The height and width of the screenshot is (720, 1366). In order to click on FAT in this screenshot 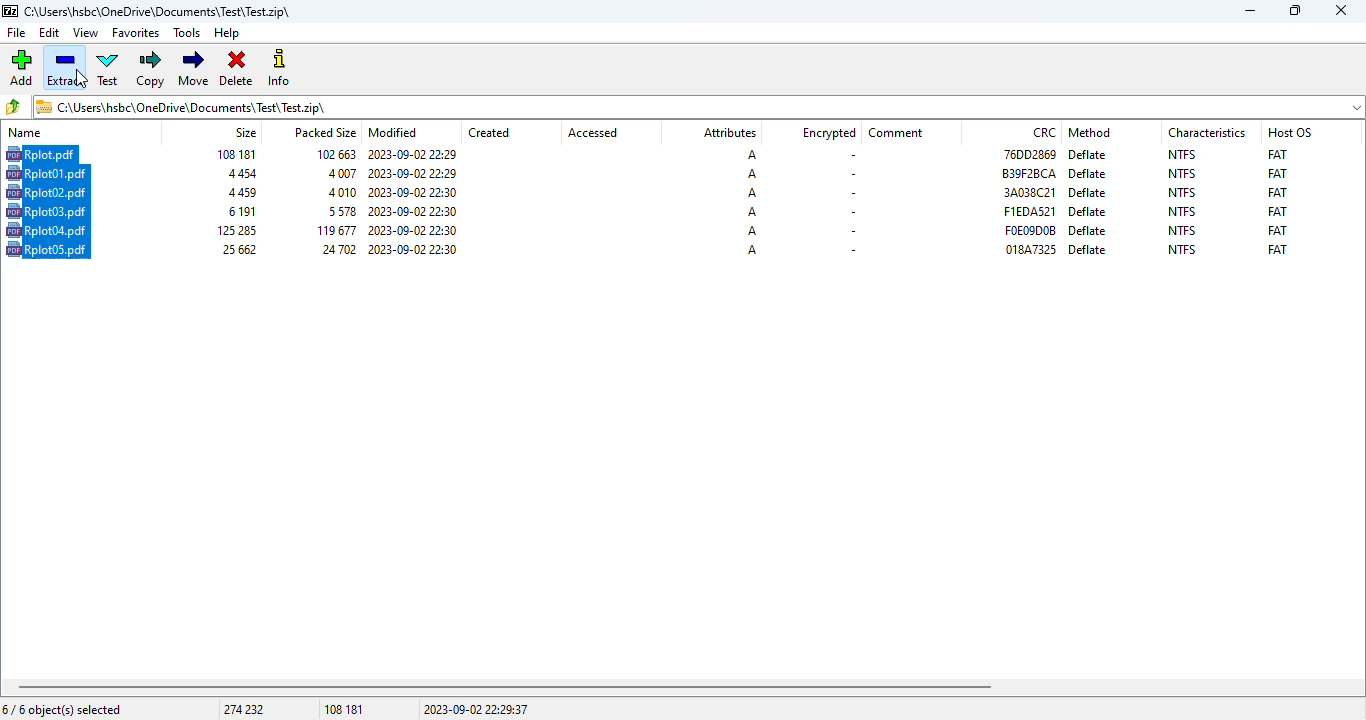, I will do `click(1277, 173)`.